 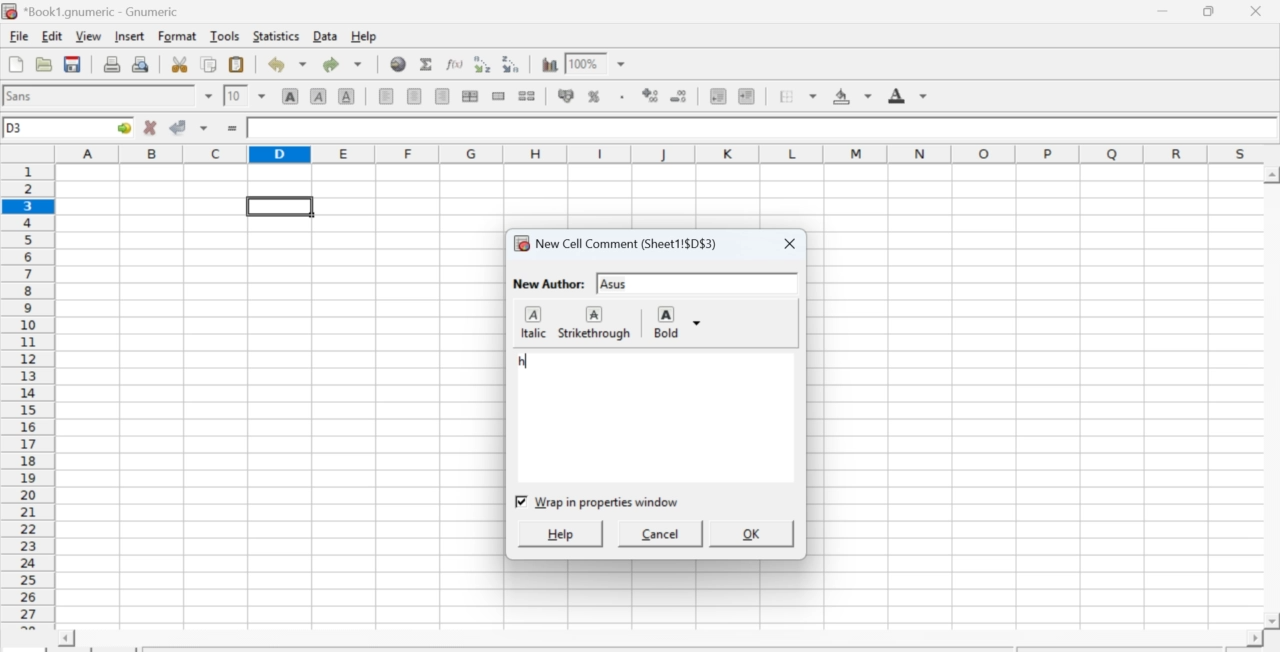 I want to click on Decrease indent, so click(x=717, y=96).